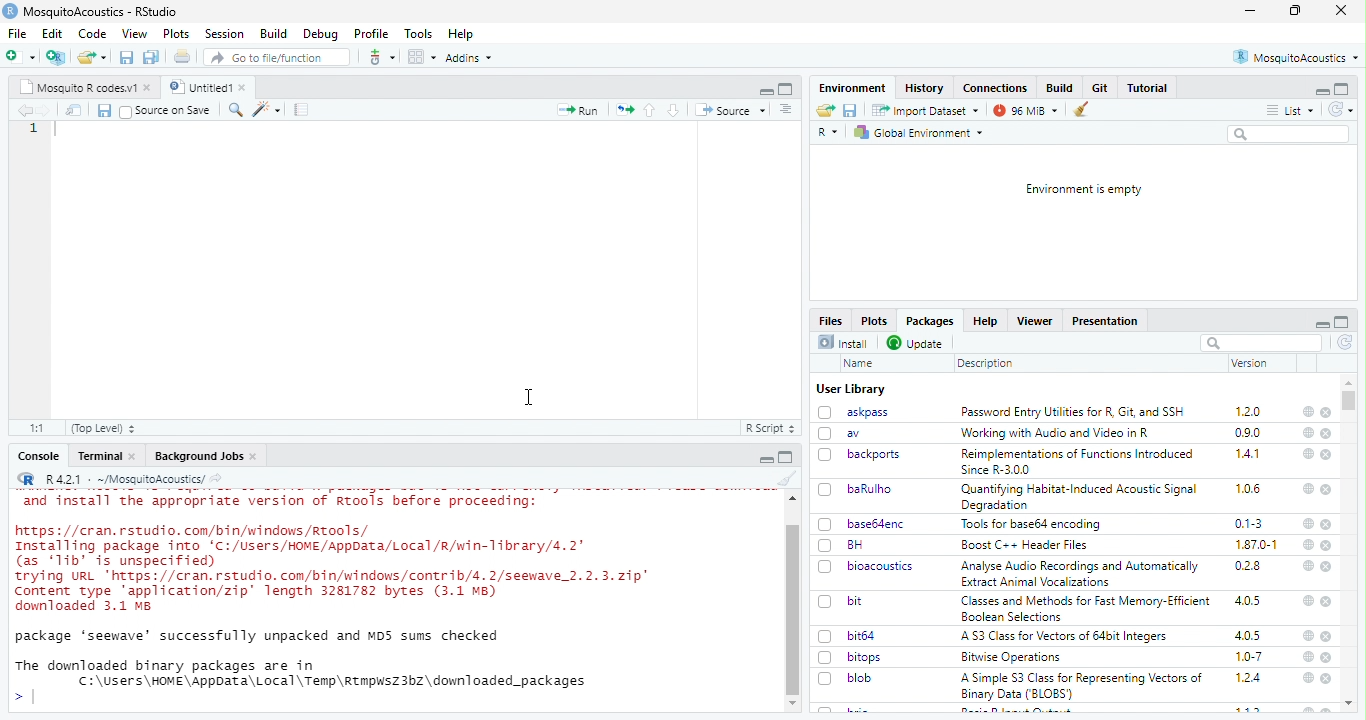 This screenshot has height=720, width=1366. Describe the element at coordinates (279, 502) in the screenshot. I see `and install the appropriate version of Rtools before proceeding:` at that location.